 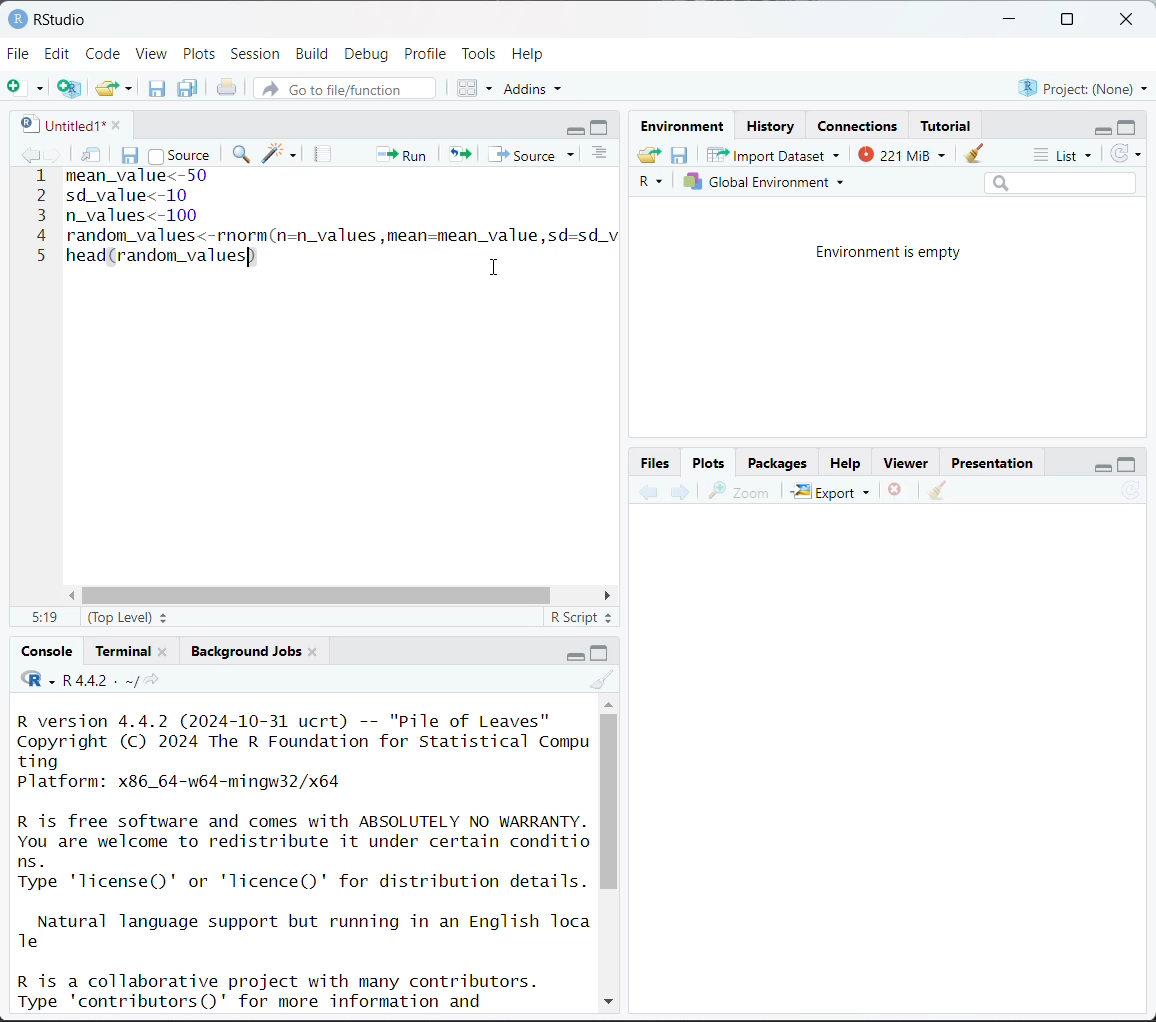 What do you see at coordinates (686, 127) in the screenshot?
I see `Environment` at bounding box center [686, 127].